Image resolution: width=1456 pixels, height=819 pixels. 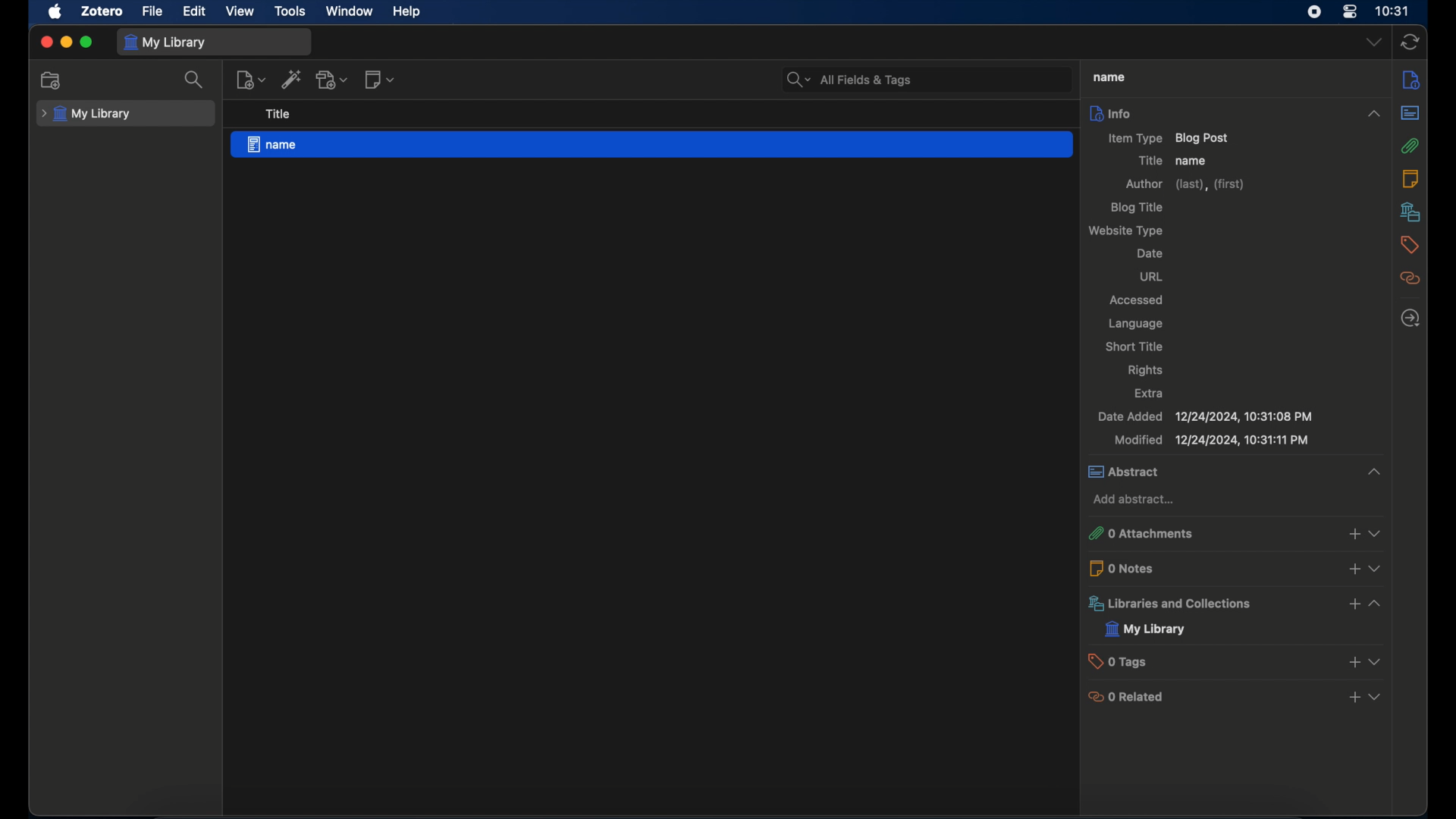 What do you see at coordinates (240, 12) in the screenshot?
I see `view` at bounding box center [240, 12].